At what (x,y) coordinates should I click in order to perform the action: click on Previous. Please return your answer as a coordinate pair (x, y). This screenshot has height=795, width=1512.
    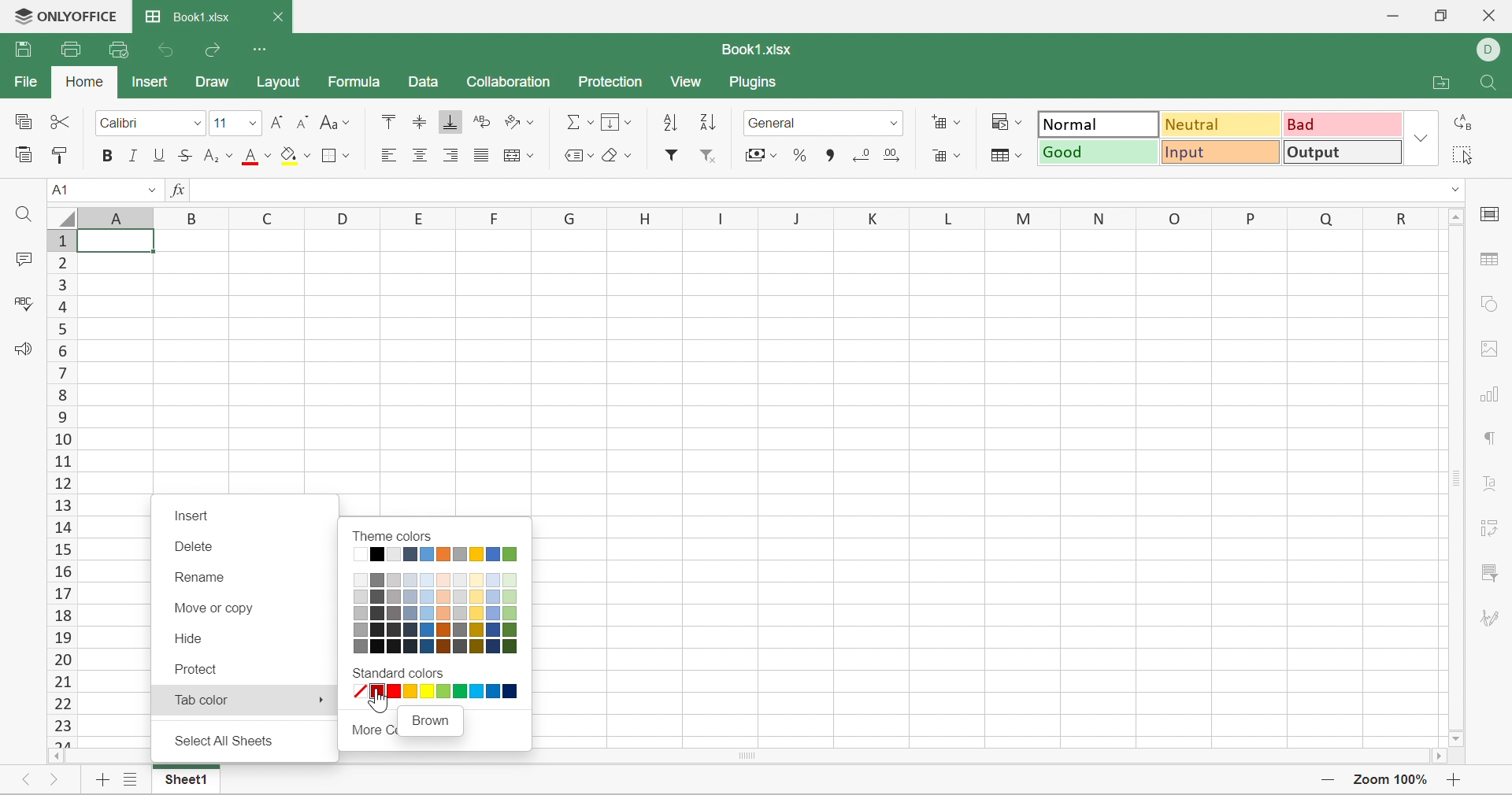
    Looking at the image, I should click on (29, 780).